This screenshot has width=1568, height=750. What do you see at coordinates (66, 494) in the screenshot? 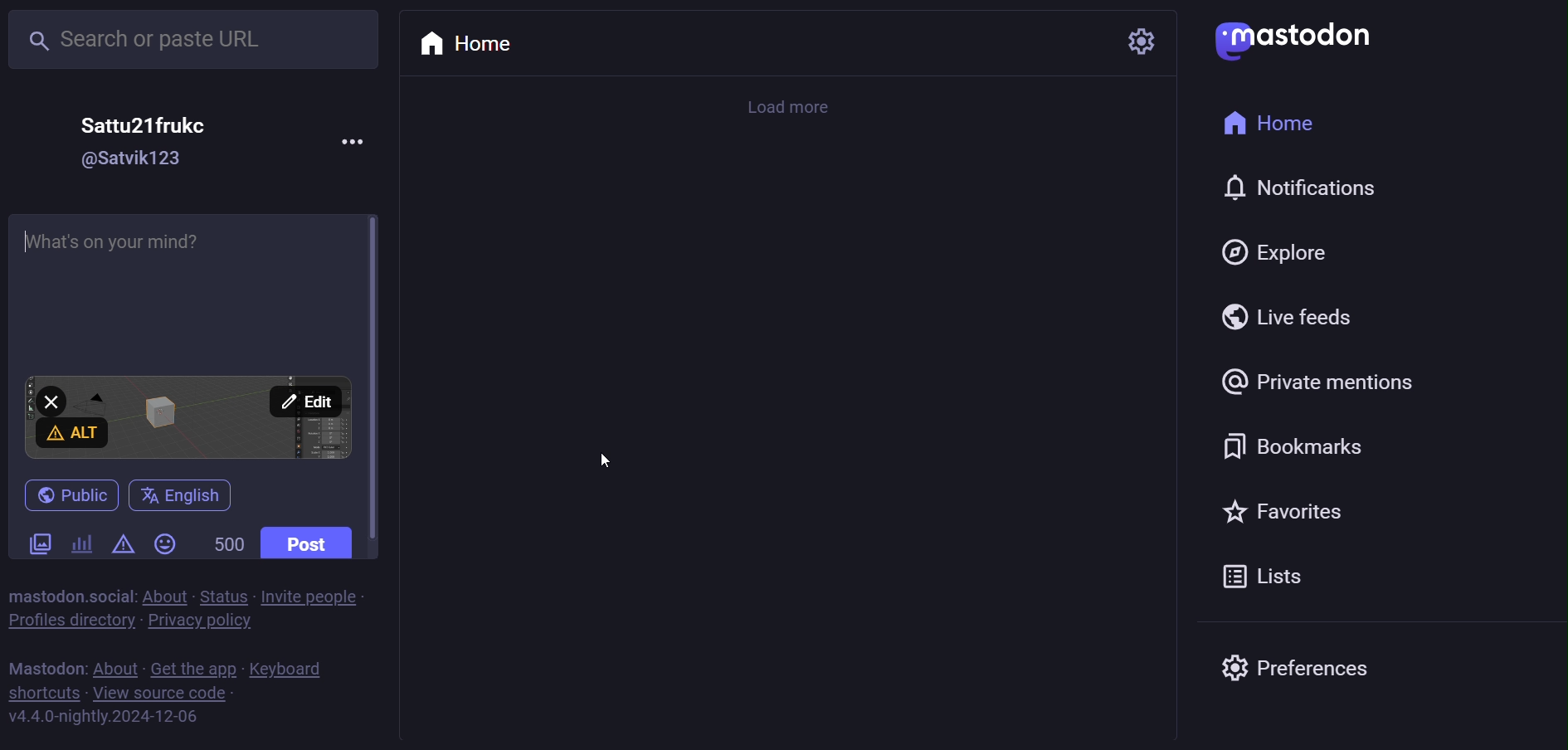
I see `publish` at bounding box center [66, 494].